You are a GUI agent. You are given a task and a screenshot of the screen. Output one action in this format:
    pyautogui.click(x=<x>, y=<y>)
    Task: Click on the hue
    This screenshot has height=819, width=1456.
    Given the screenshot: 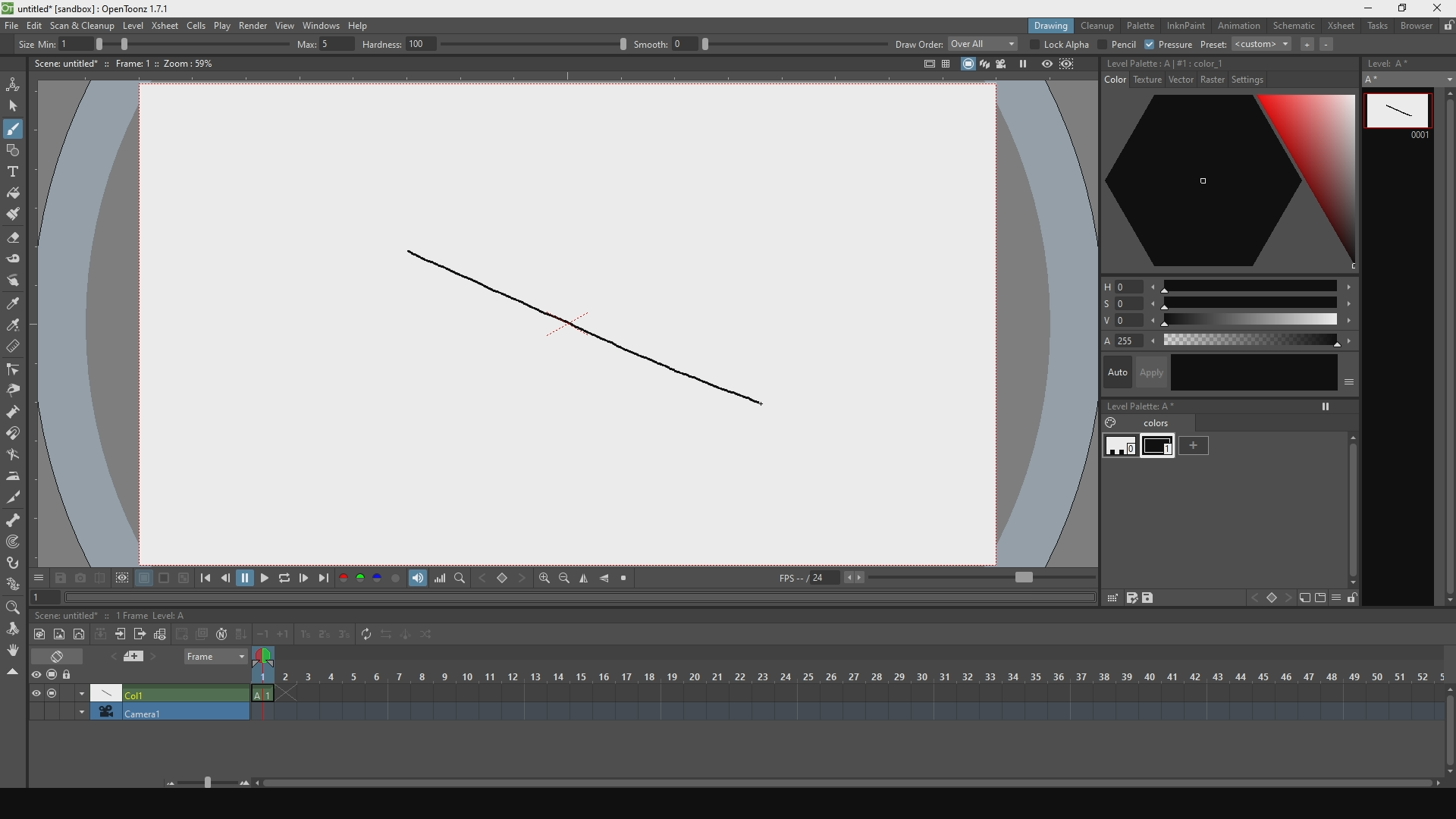 What is the action you would take?
    pyautogui.click(x=1223, y=288)
    